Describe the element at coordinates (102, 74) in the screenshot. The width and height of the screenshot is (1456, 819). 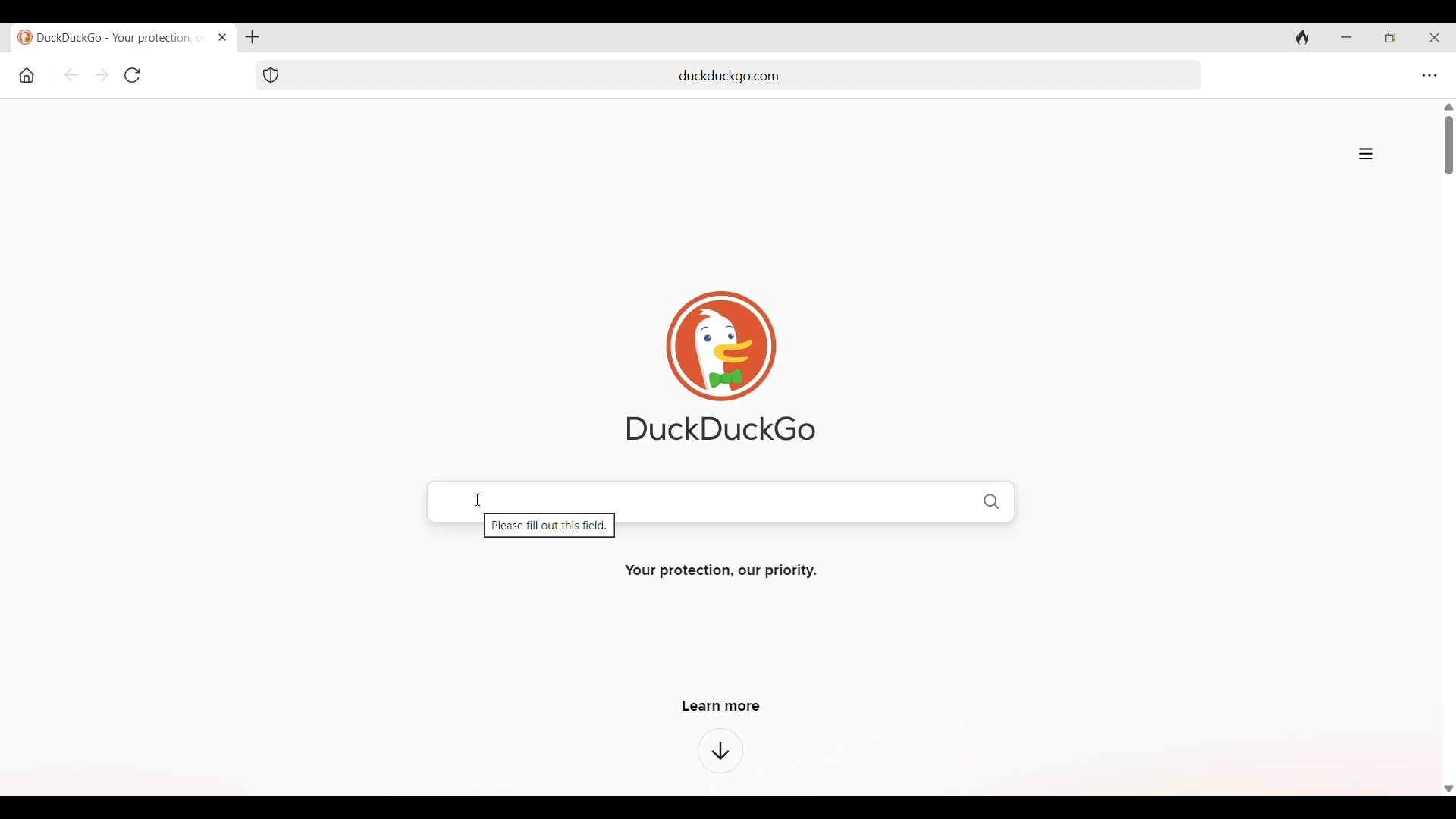
I see `Go forward` at that location.